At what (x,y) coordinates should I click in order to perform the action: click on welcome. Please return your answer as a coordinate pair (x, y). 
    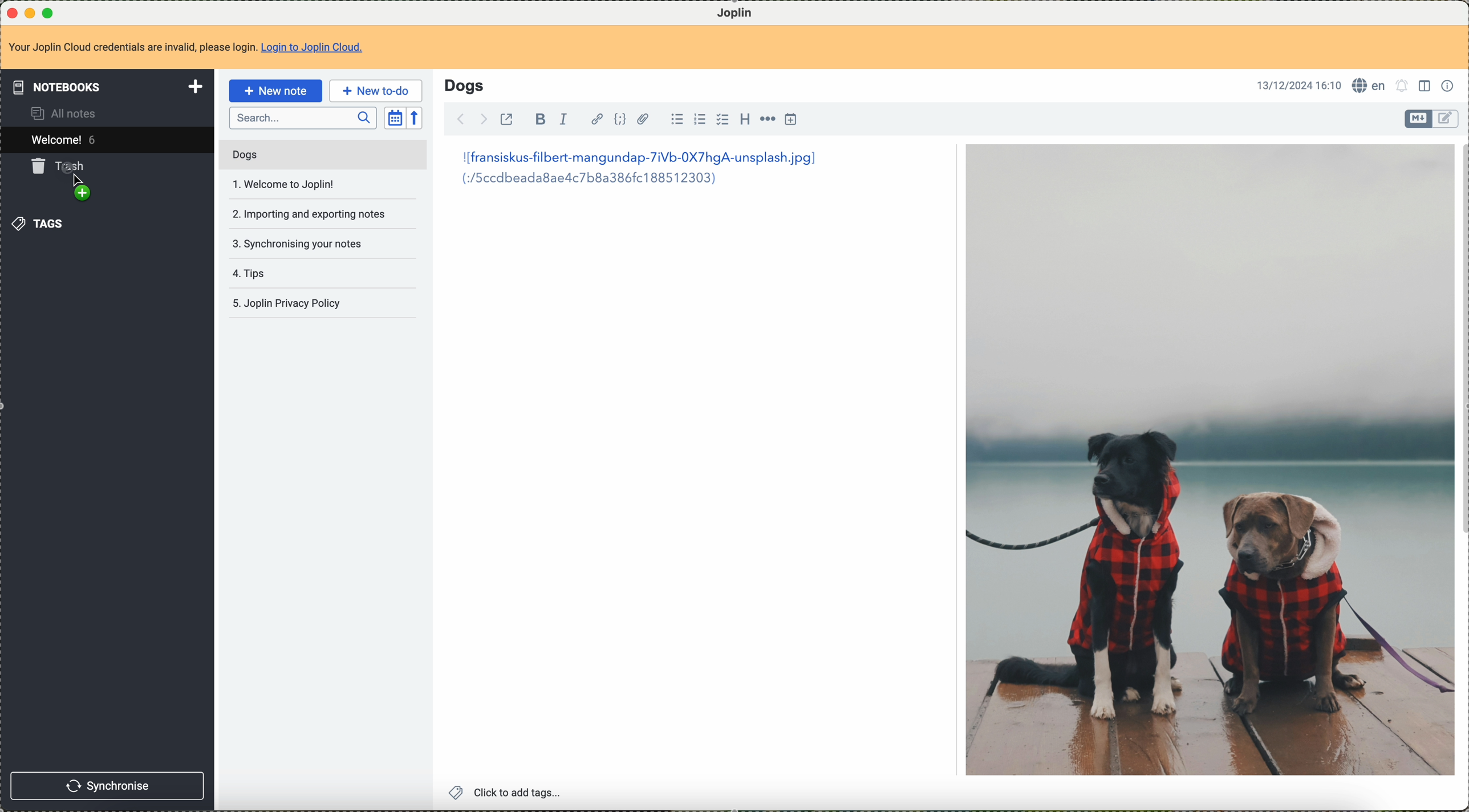
    Looking at the image, I should click on (105, 140).